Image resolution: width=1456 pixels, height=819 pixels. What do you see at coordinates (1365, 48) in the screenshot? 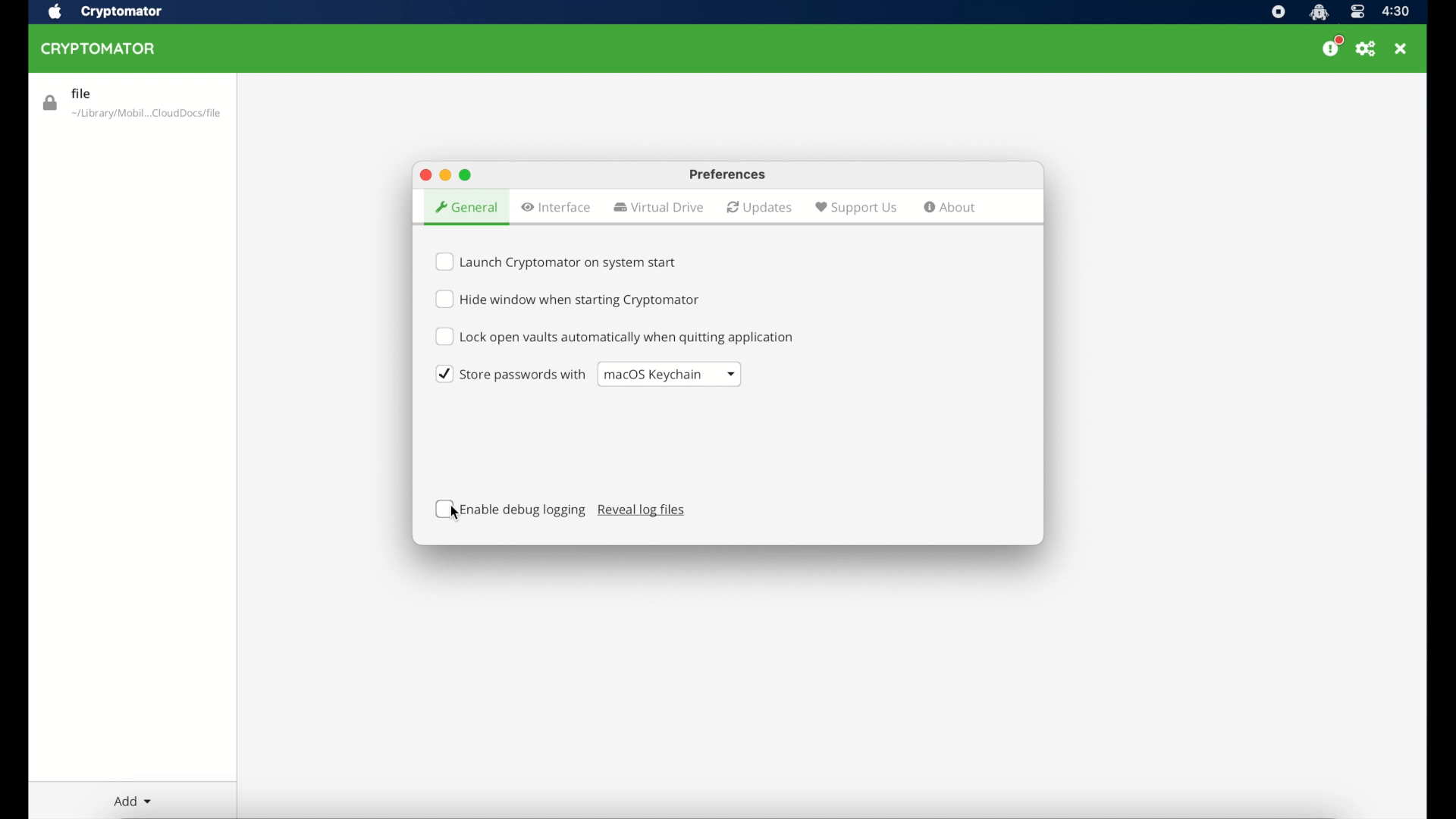
I see `preferences` at bounding box center [1365, 48].